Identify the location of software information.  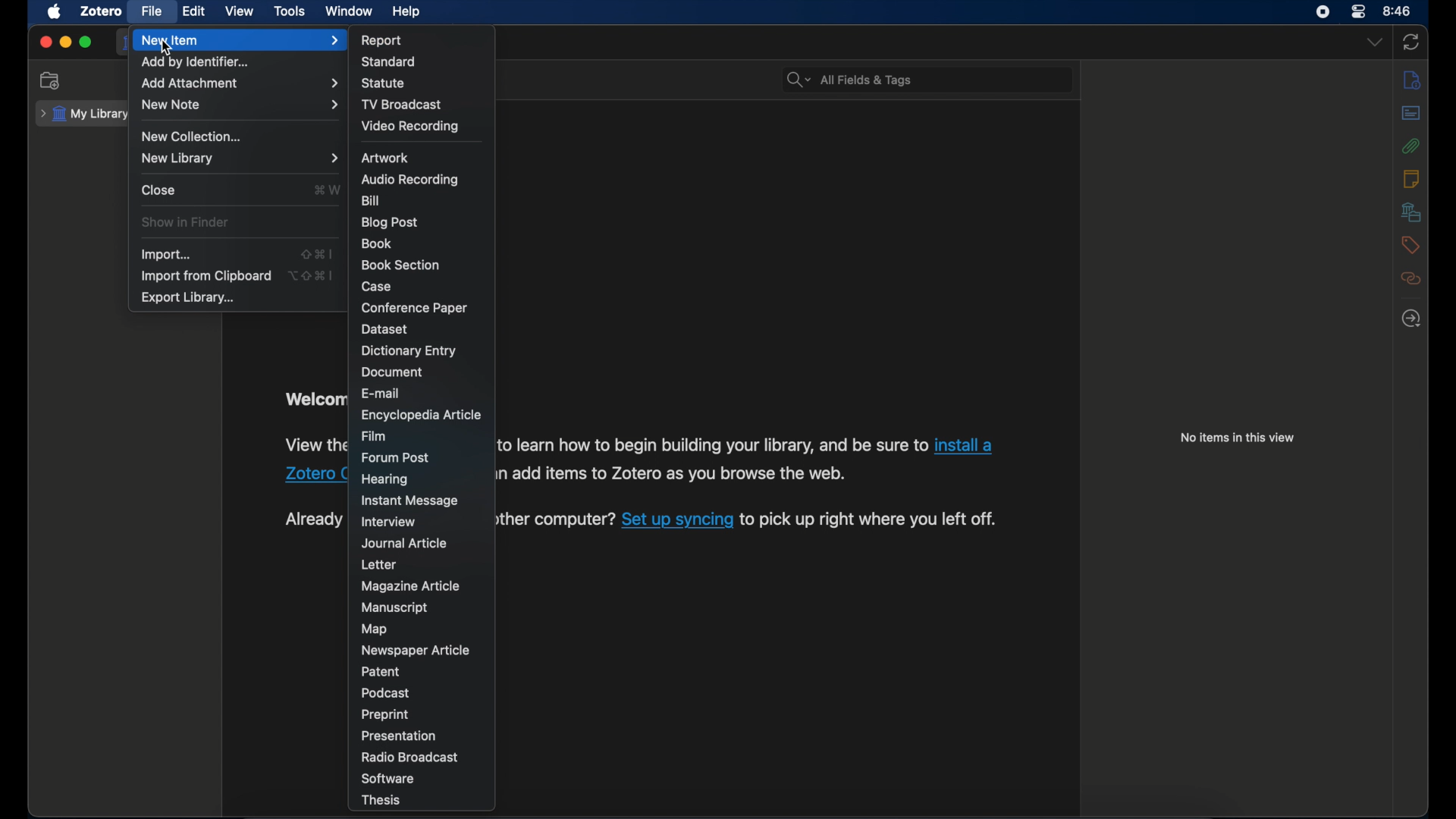
(315, 446).